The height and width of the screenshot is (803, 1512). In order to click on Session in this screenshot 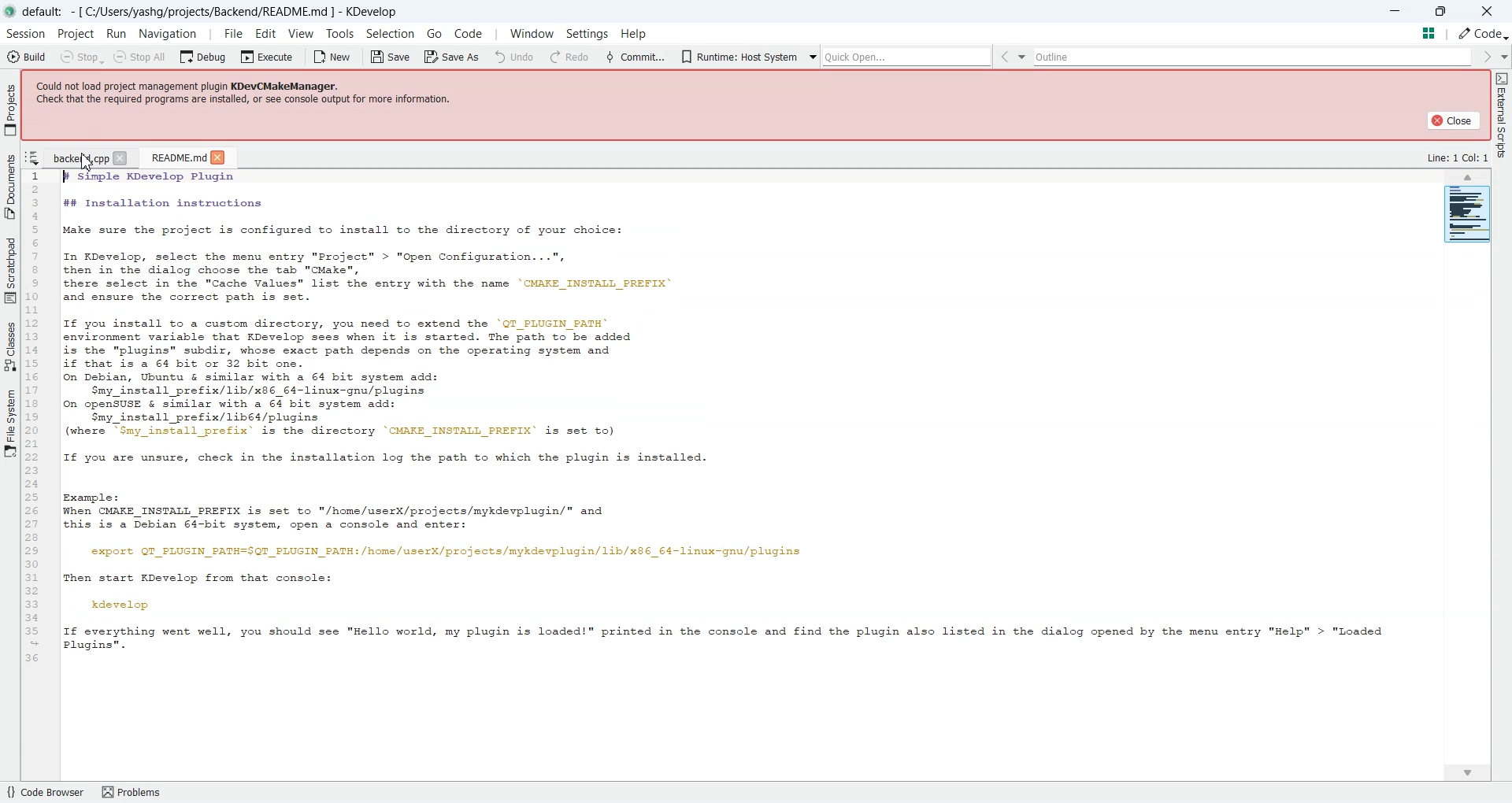, I will do `click(24, 34)`.